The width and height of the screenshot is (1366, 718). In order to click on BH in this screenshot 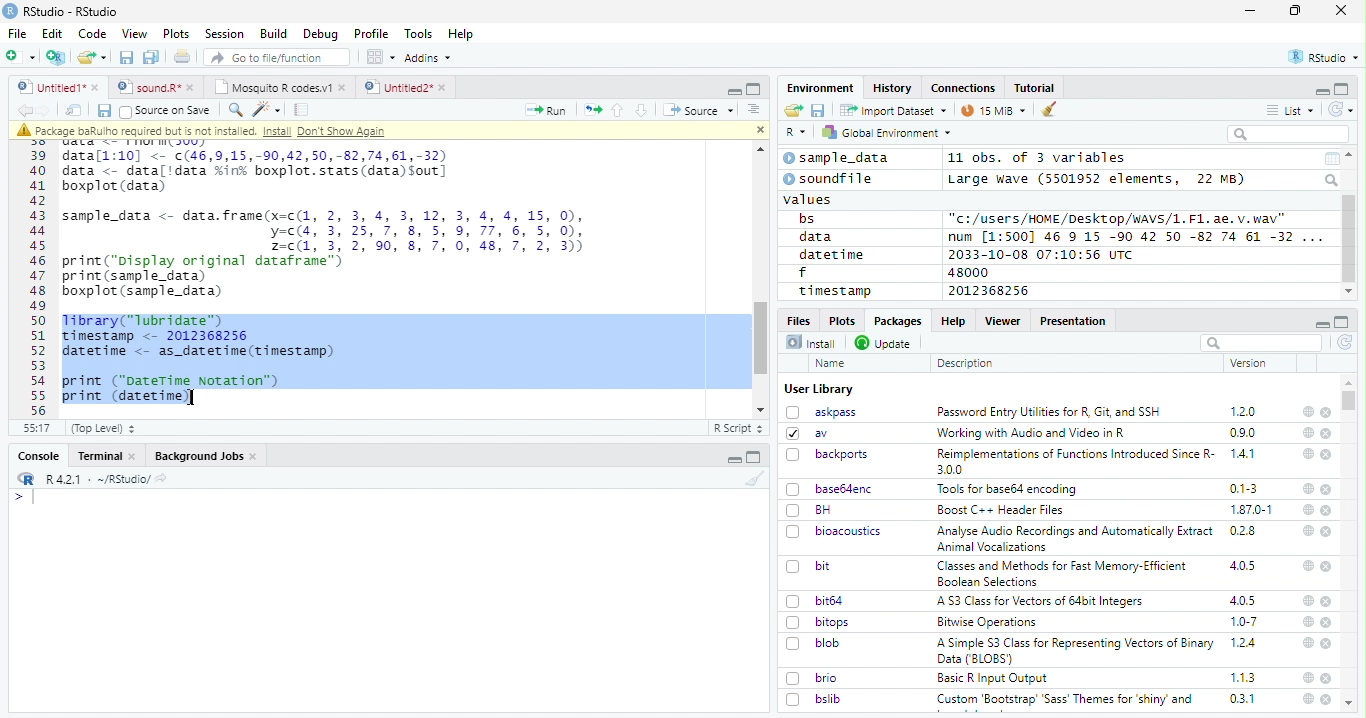, I will do `click(811, 510)`.